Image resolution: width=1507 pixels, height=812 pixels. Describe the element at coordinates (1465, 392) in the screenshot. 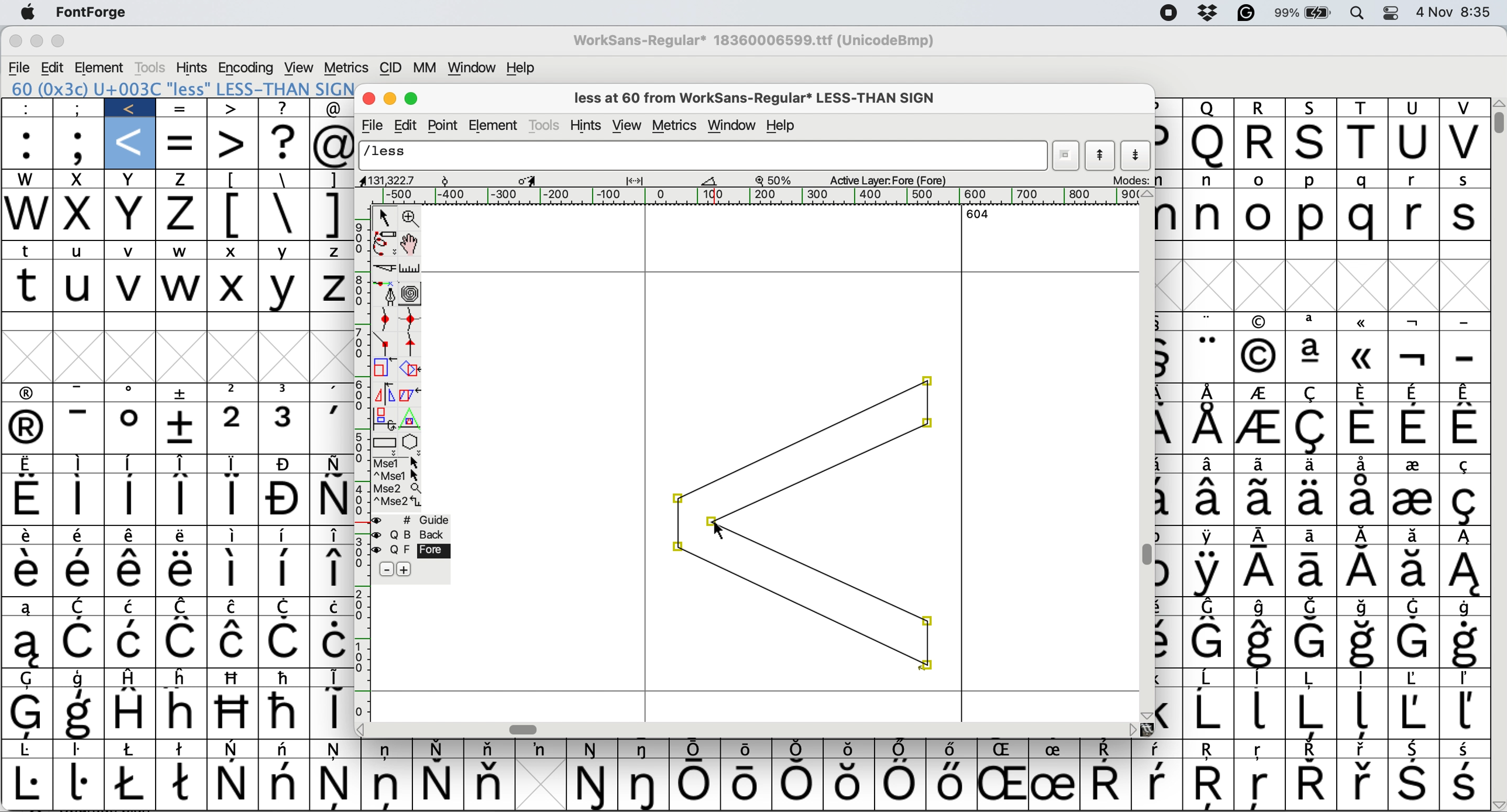

I see `Symbol` at that location.